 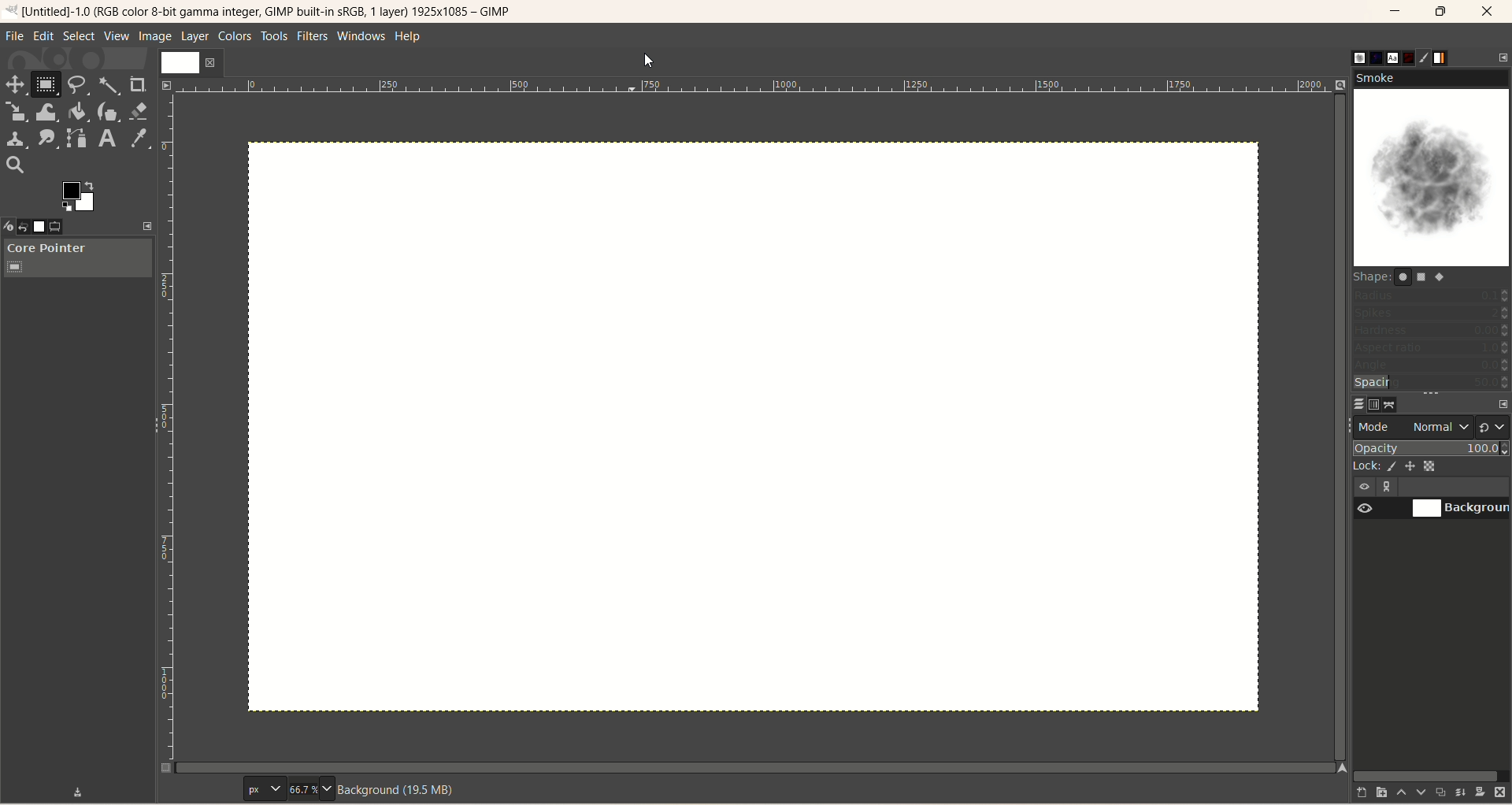 What do you see at coordinates (401, 791) in the screenshot?
I see `background` at bounding box center [401, 791].